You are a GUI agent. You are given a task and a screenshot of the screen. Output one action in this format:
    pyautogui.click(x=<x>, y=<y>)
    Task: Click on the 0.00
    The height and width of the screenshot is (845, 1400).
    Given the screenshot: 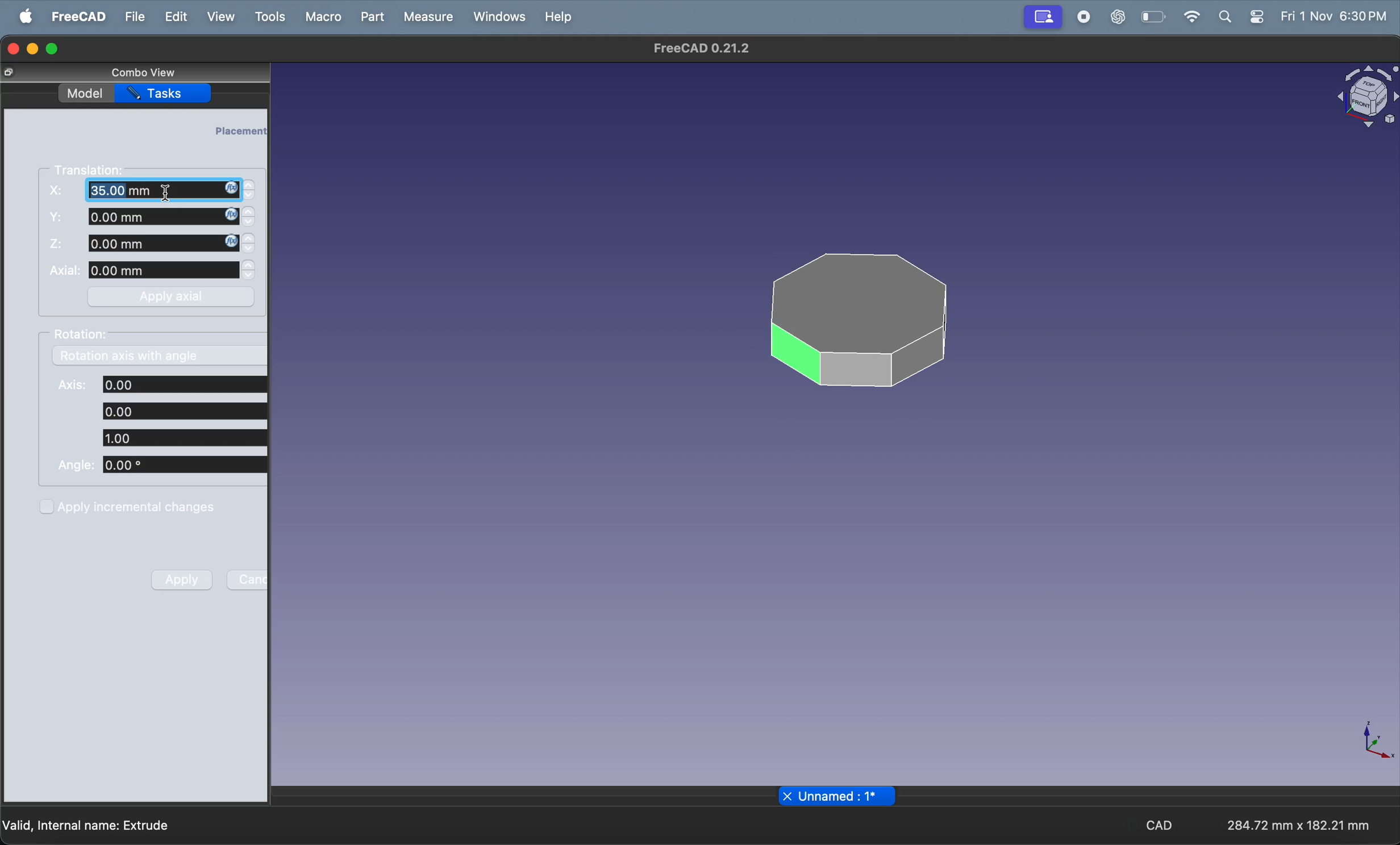 What is the action you would take?
    pyautogui.click(x=182, y=410)
    